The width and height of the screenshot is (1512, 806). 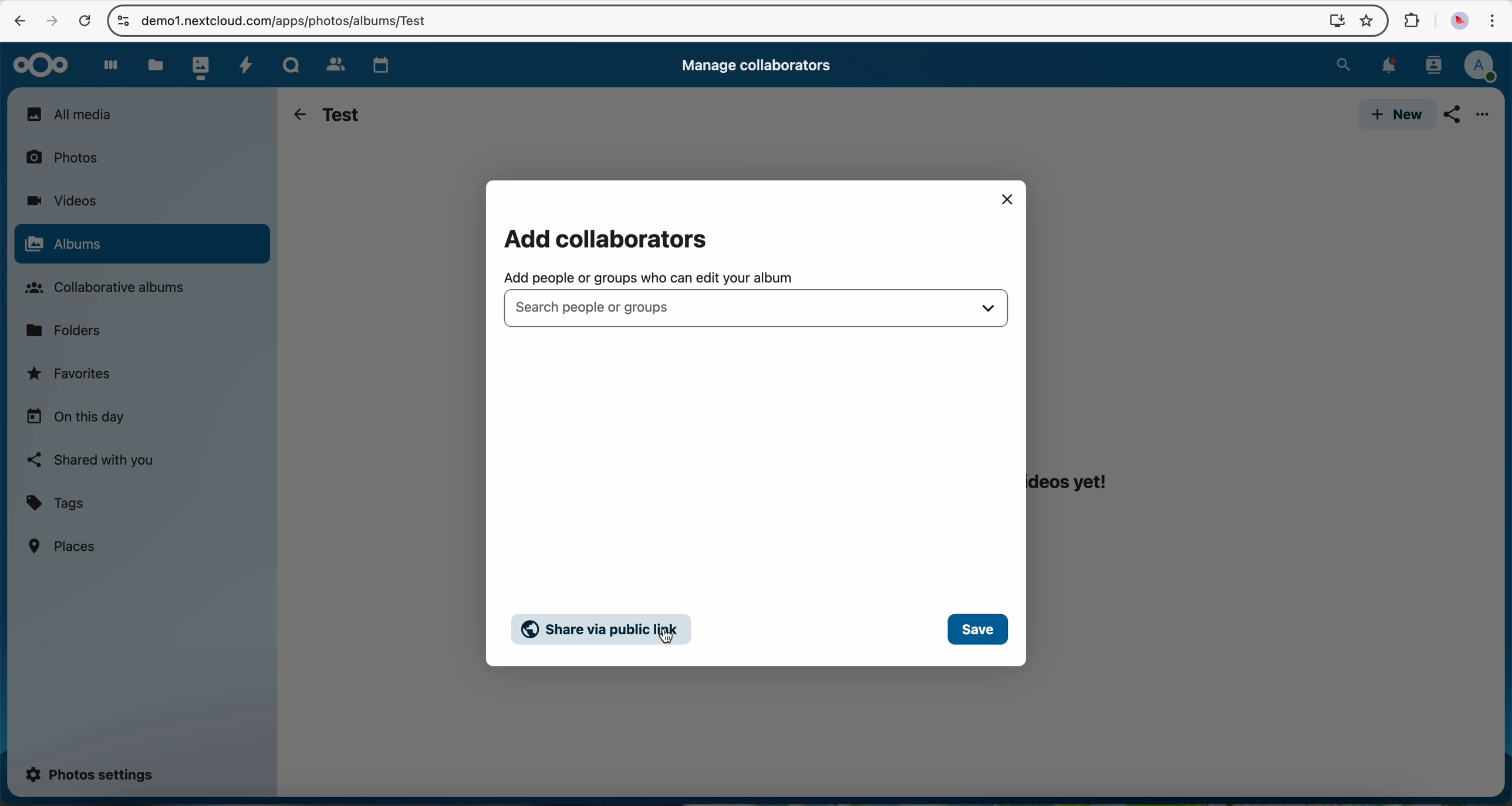 I want to click on photos, so click(x=198, y=65).